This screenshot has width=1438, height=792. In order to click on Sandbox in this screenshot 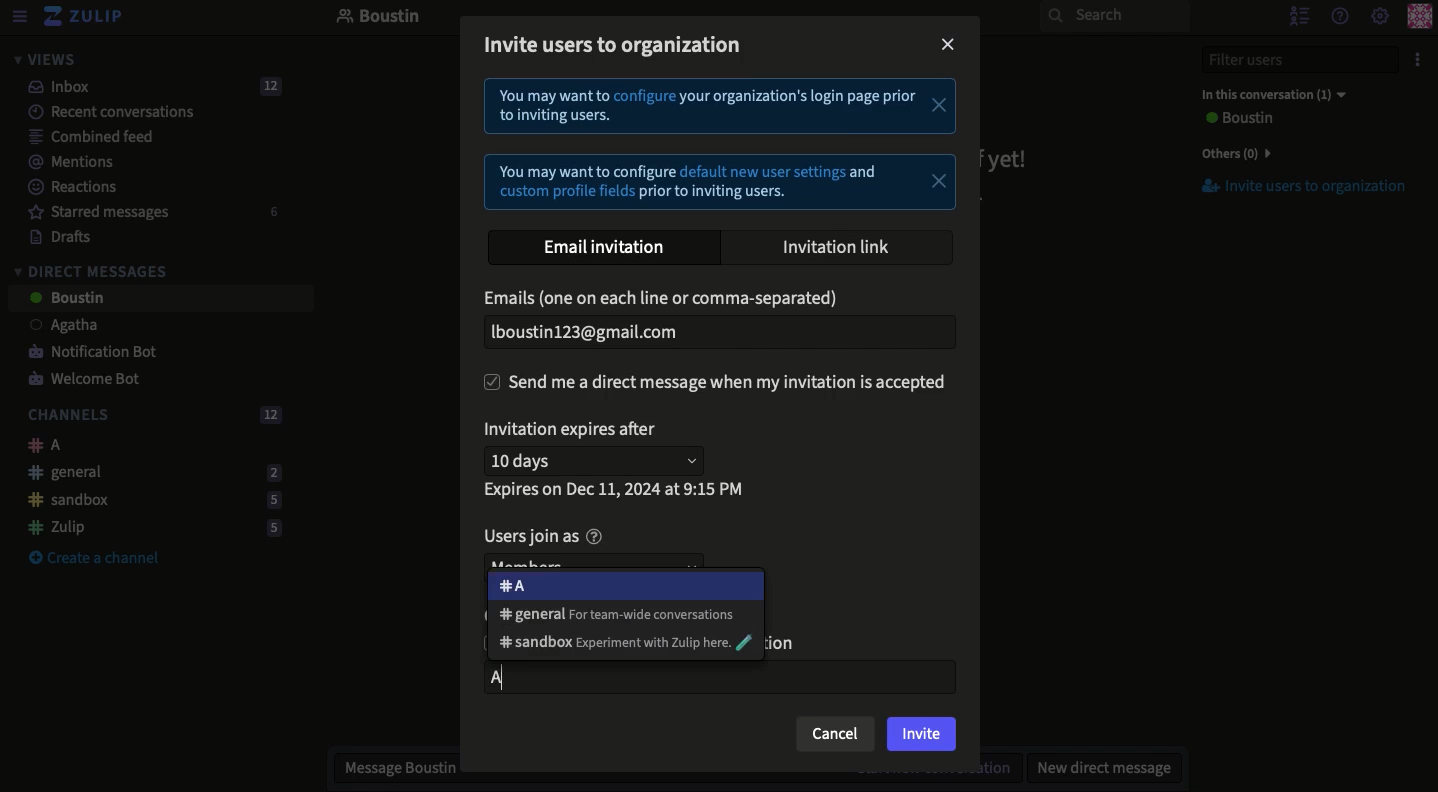, I will do `click(632, 644)`.